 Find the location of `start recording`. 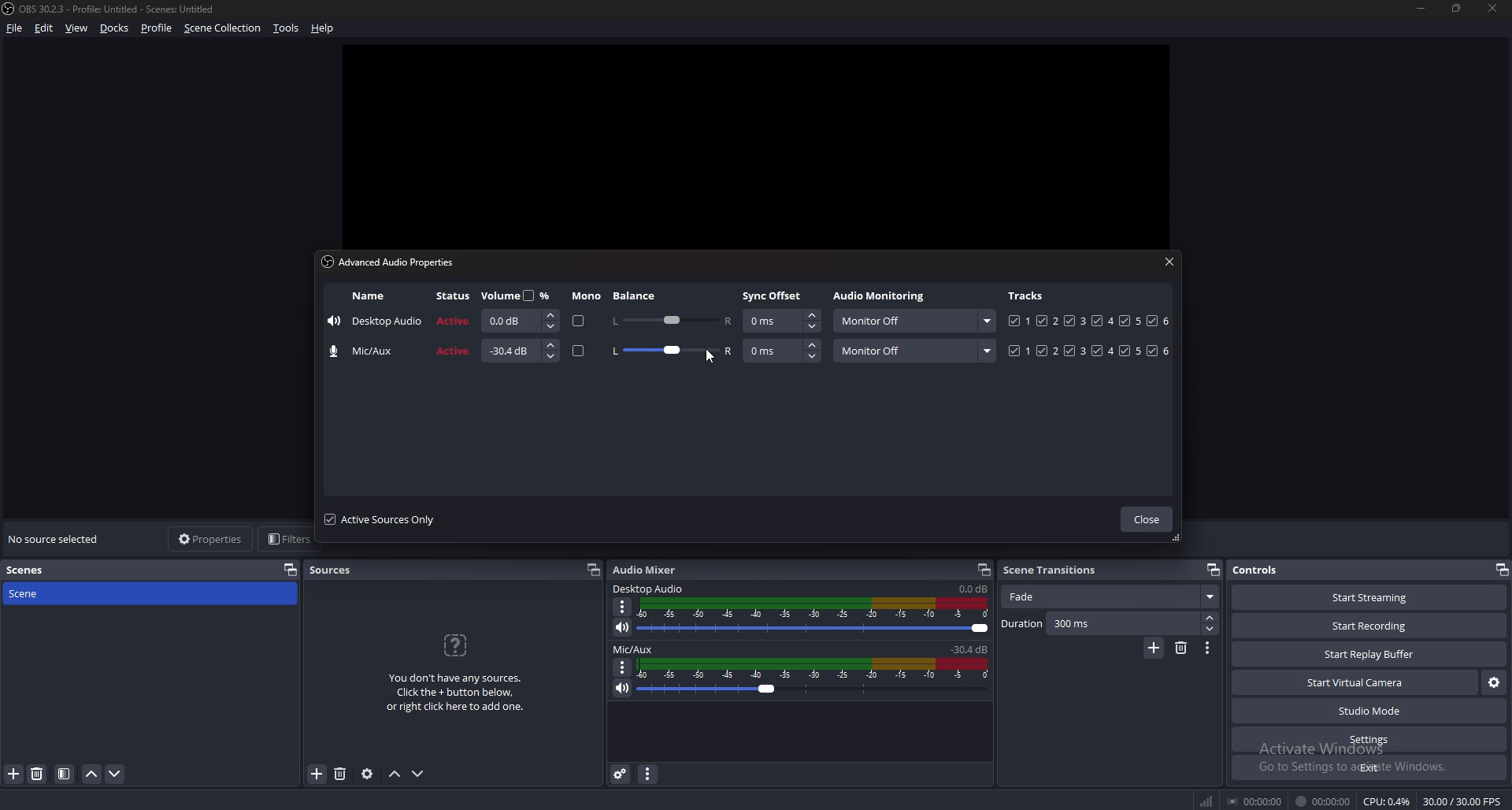

start recording is located at coordinates (1370, 626).